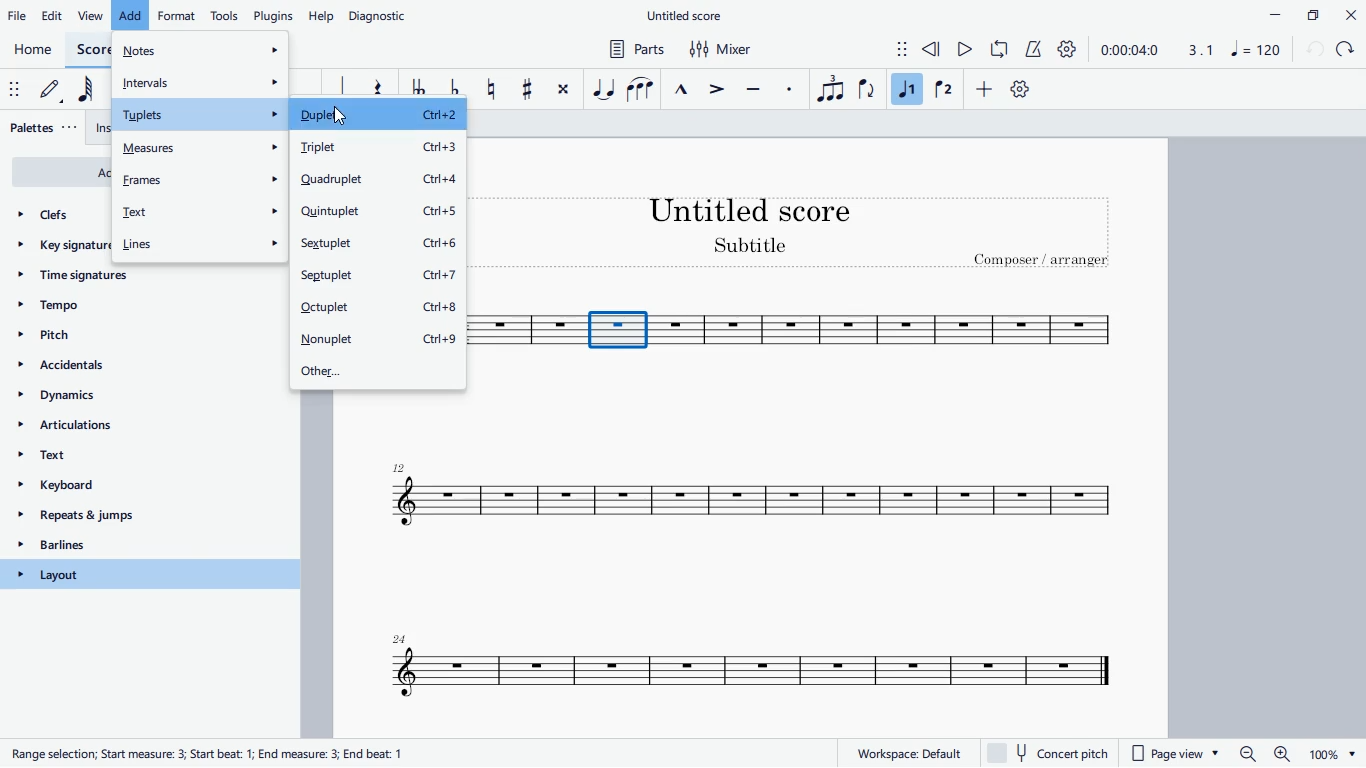 The width and height of the screenshot is (1366, 768). What do you see at coordinates (966, 51) in the screenshot?
I see `play` at bounding box center [966, 51].